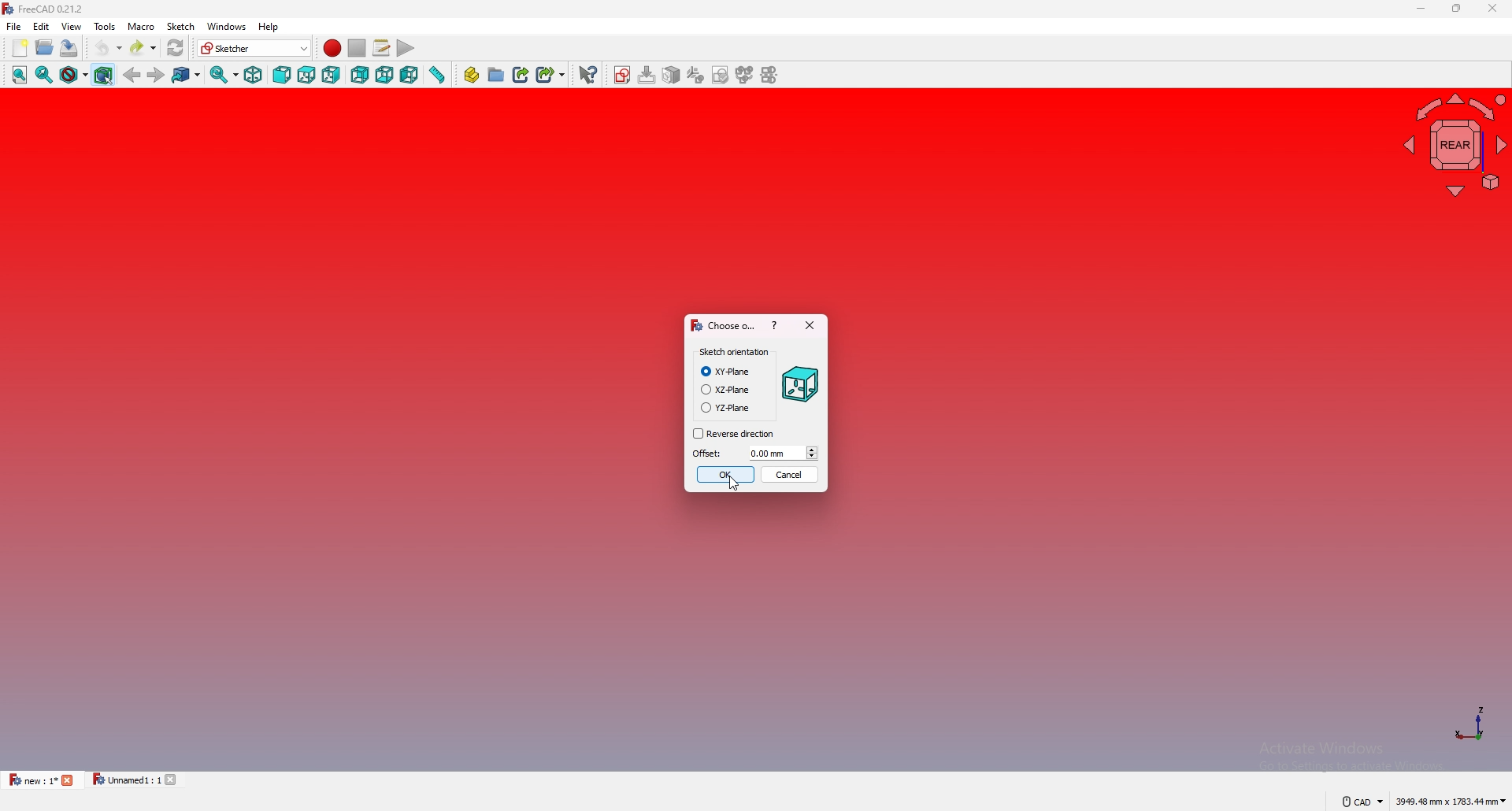 Image resolution: width=1512 pixels, height=811 pixels. Describe the element at coordinates (724, 474) in the screenshot. I see `ok` at that location.